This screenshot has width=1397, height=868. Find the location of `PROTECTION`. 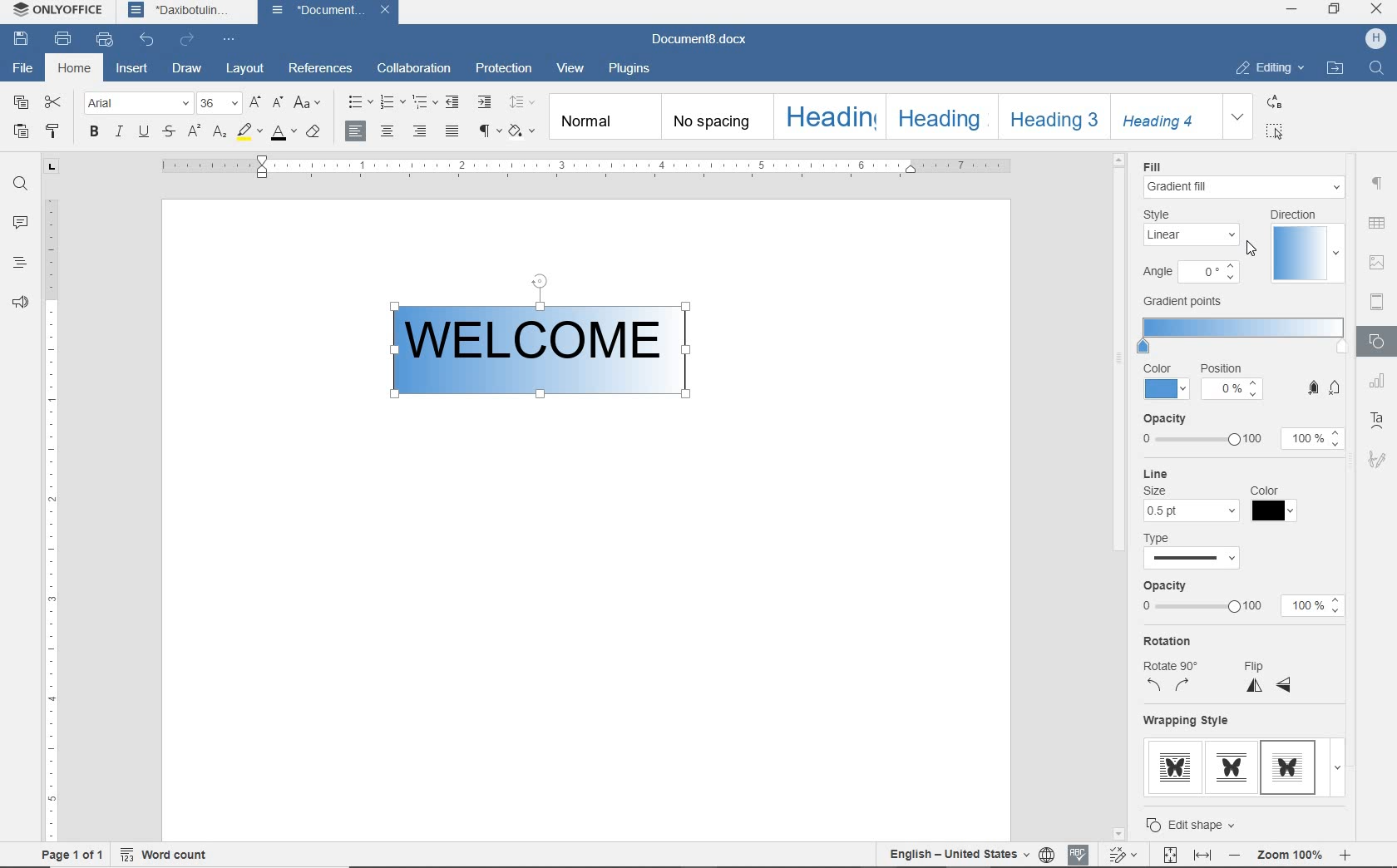

PROTECTION is located at coordinates (504, 69).